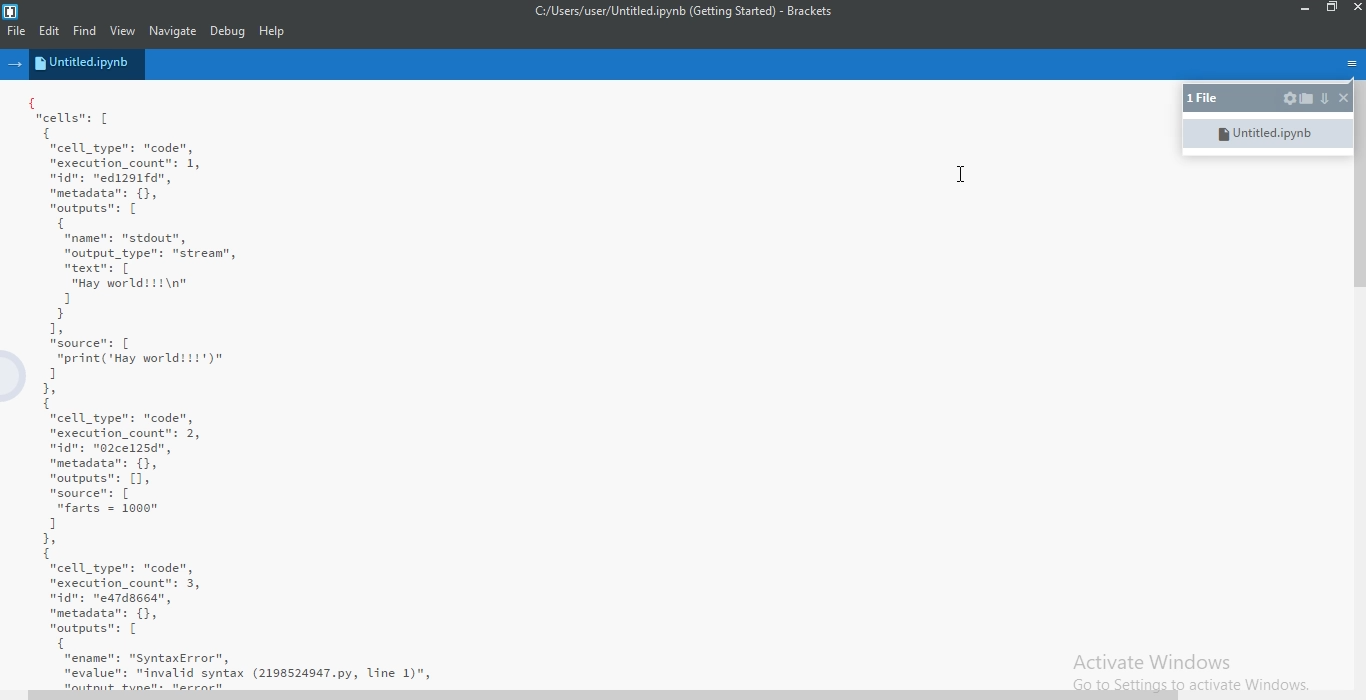 This screenshot has width=1366, height=700. I want to click on Debug, so click(228, 32).